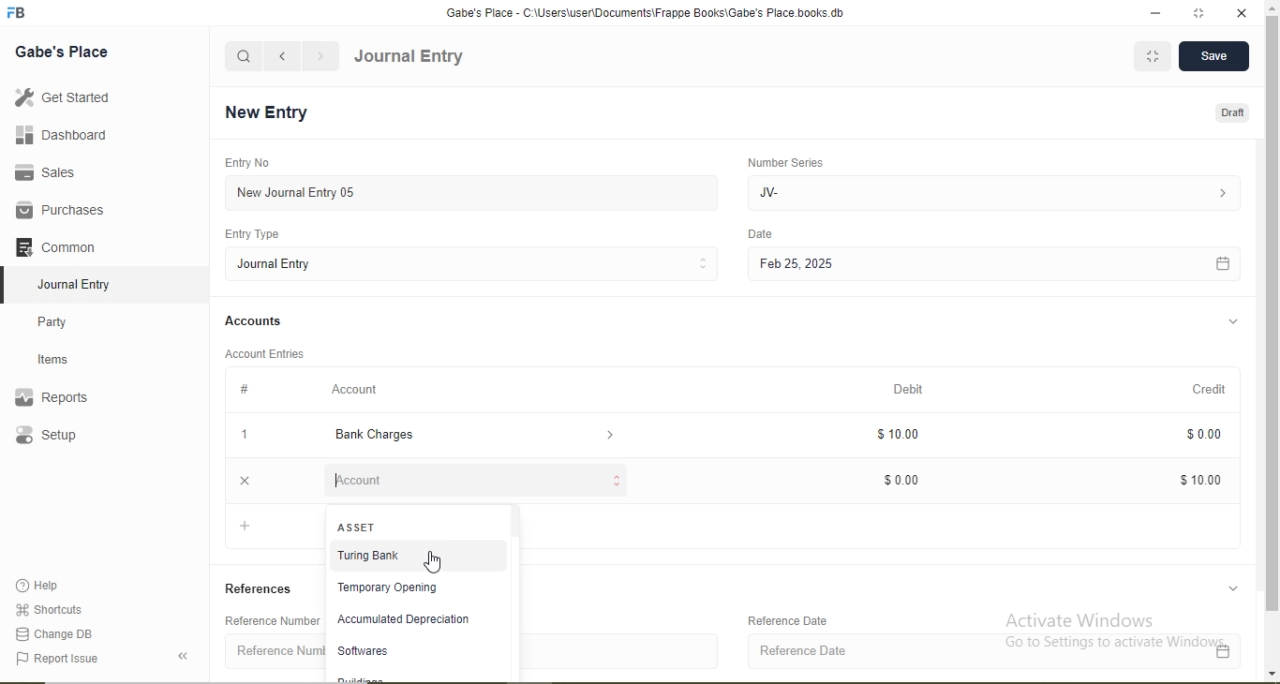 The width and height of the screenshot is (1280, 684). I want to click on Party, so click(66, 320).